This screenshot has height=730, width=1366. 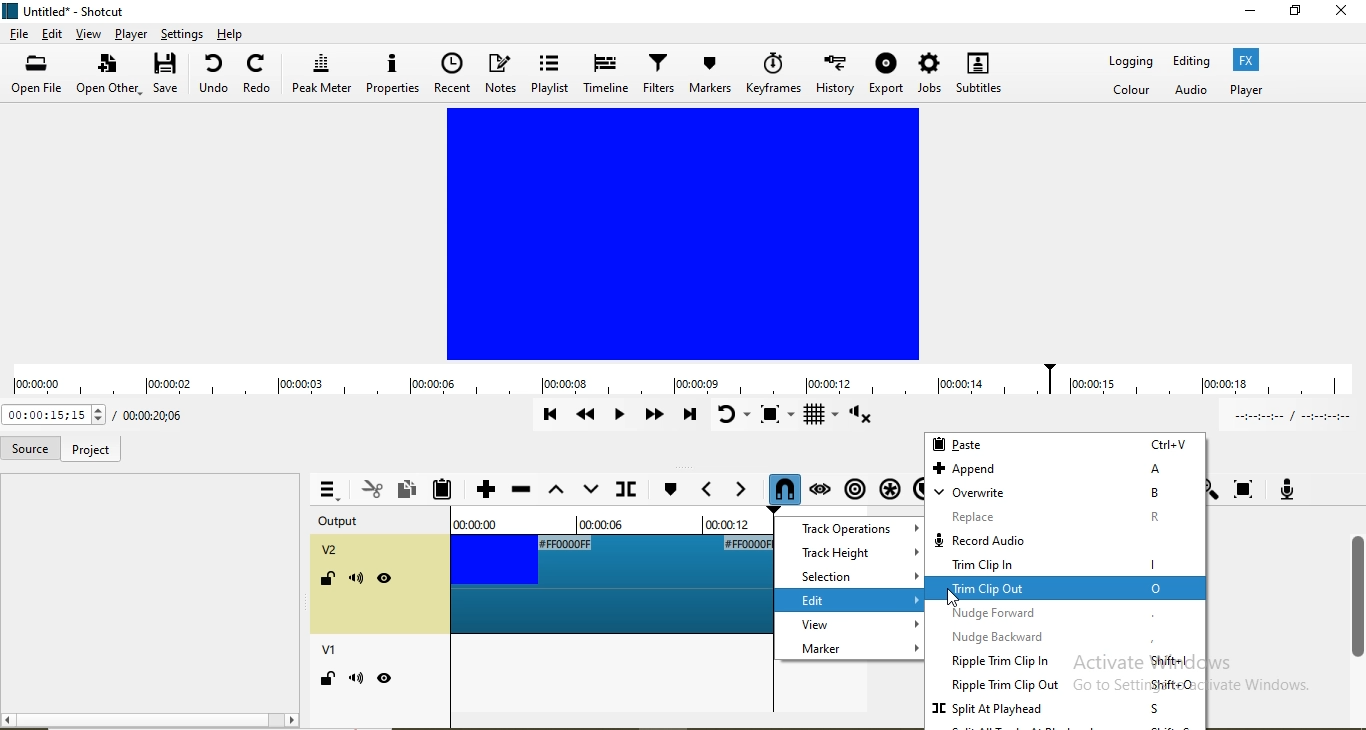 What do you see at coordinates (853, 485) in the screenshot?
I see `Ripple markers` at bounding box center [853, 485].